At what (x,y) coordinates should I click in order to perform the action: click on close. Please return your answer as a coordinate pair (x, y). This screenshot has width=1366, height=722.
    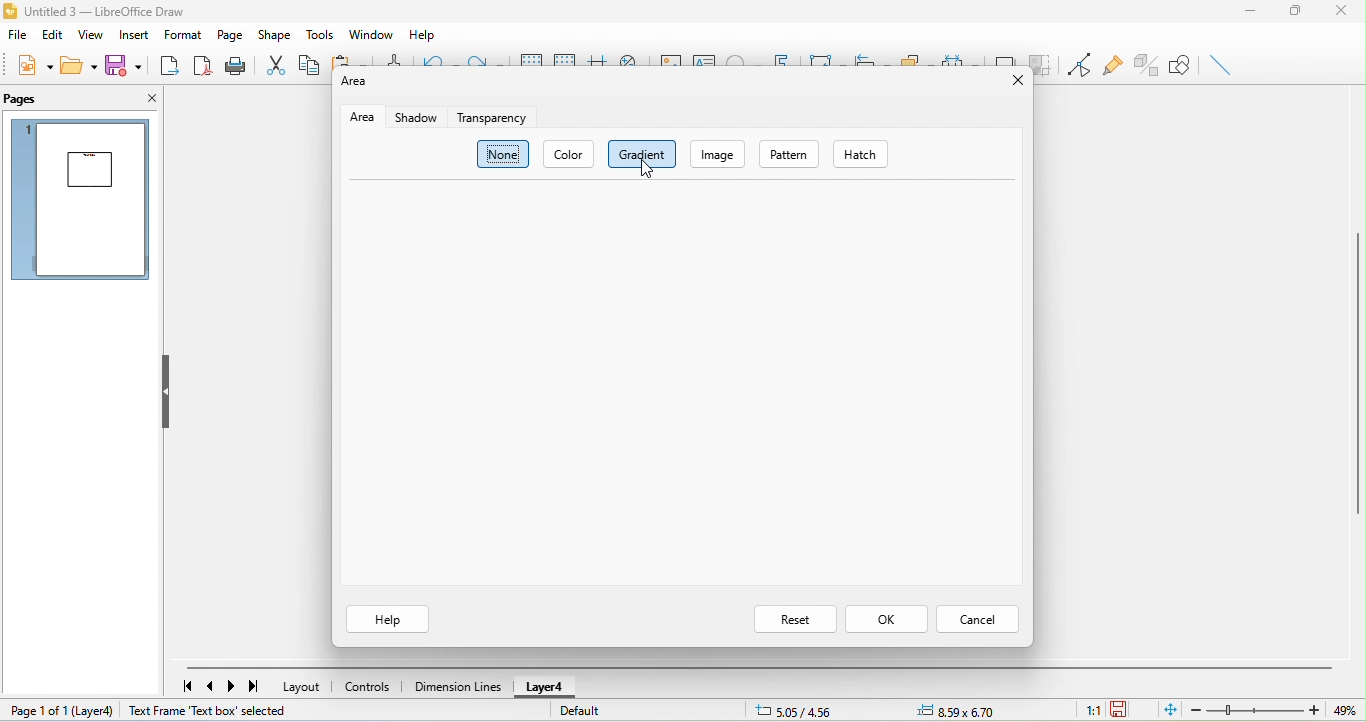
    Looking at the image, I should click on (146, 101).